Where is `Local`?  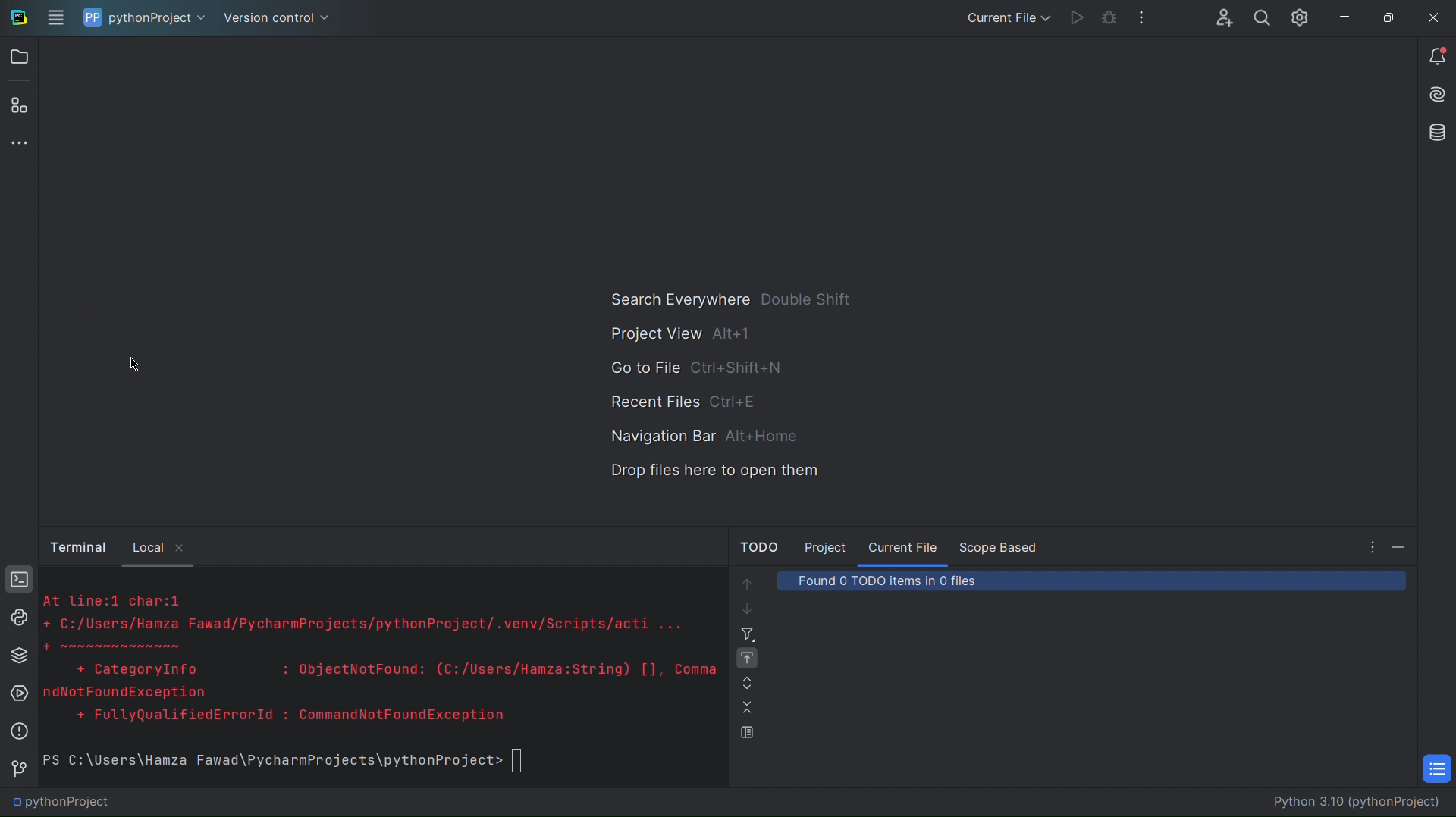 Local is located at coordinates (163, 548).